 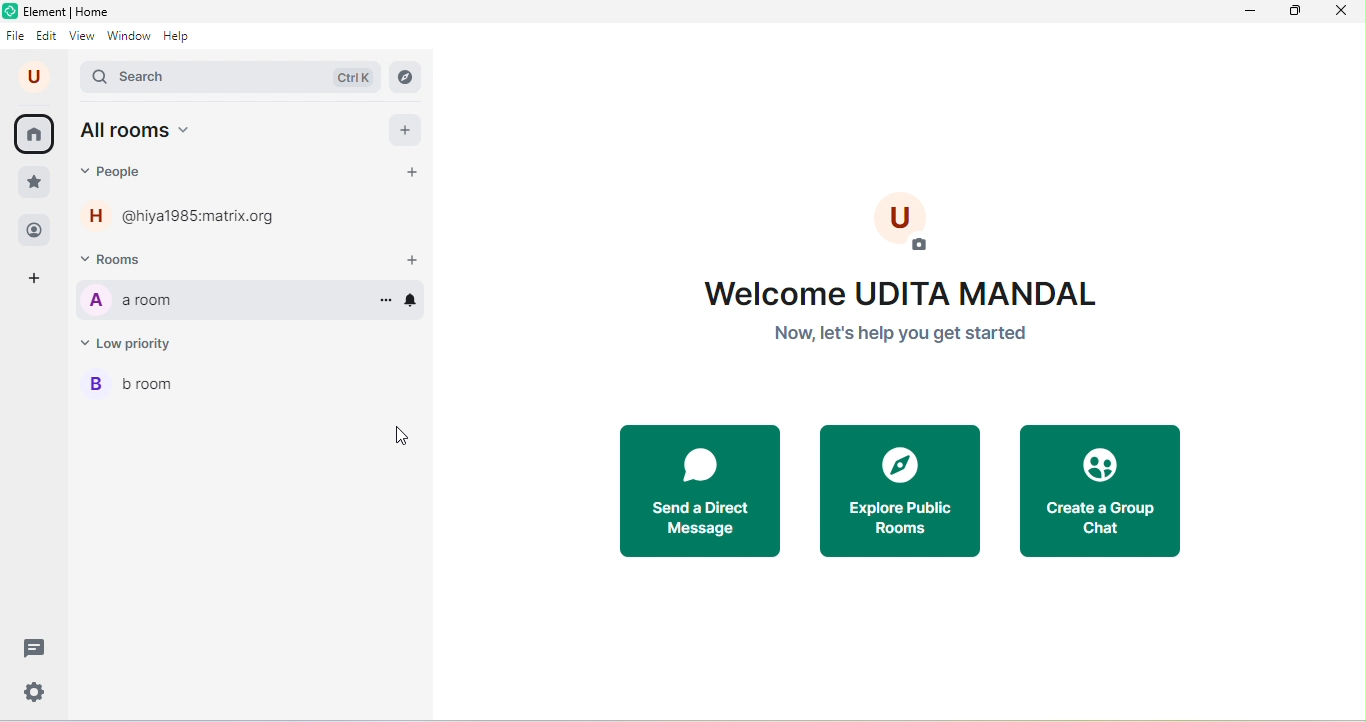 What do you see at coordinates (914, 225) in the screenshot?
I see `add profile photo` at bounding box center [914, 225].